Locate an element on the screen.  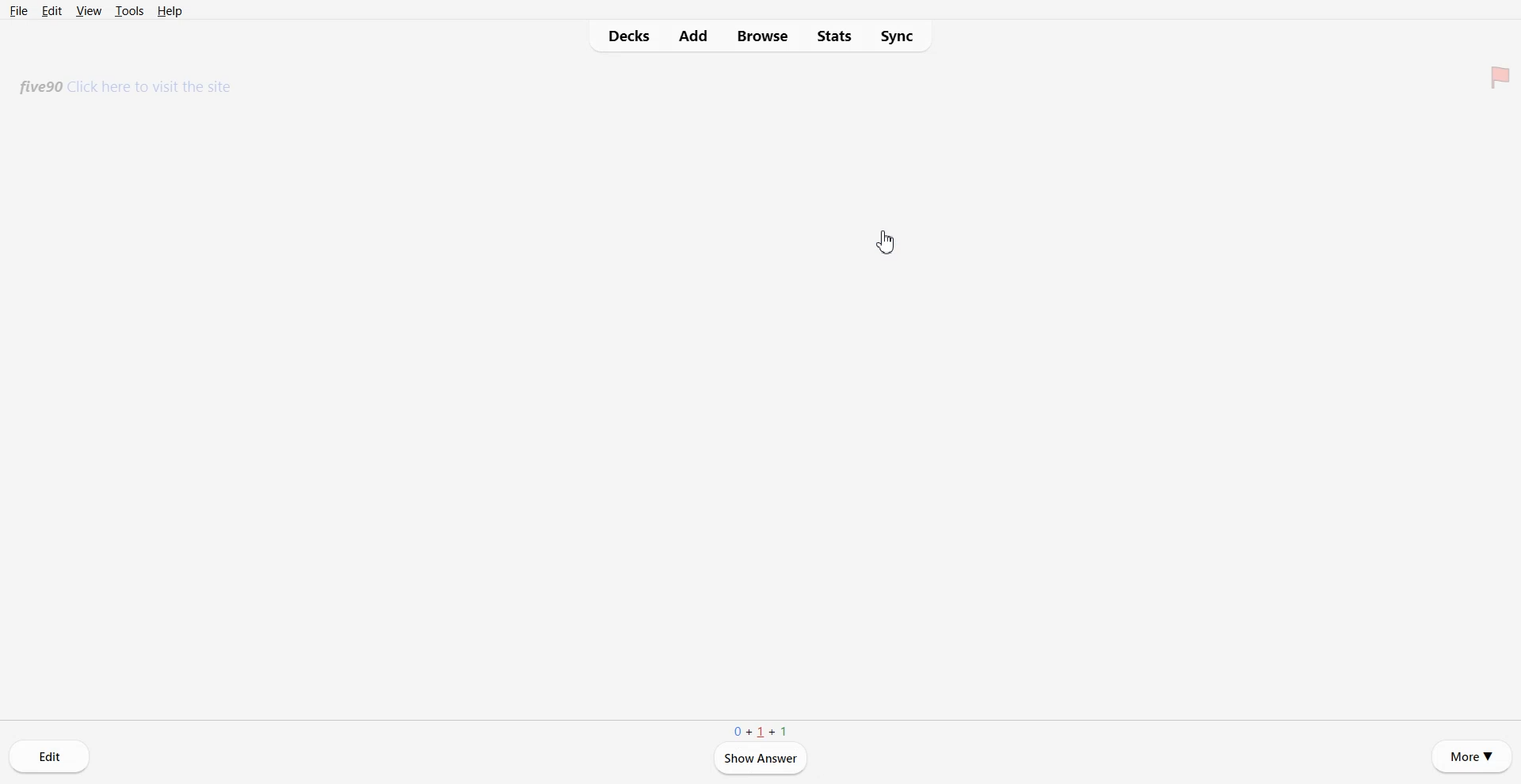
View is located at coordinates (90, 10).